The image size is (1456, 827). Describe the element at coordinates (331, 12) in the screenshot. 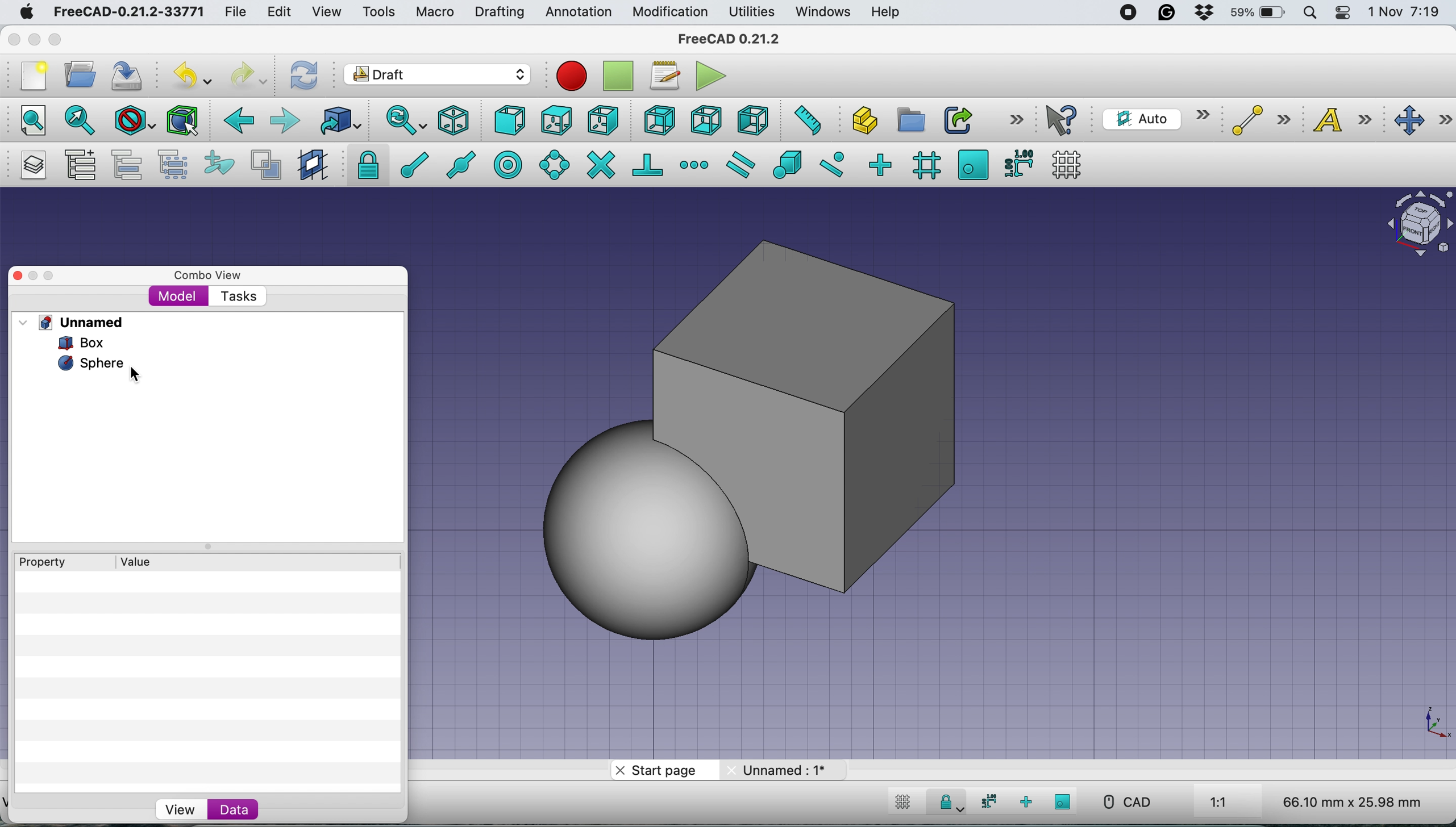

I see `view` at that location.